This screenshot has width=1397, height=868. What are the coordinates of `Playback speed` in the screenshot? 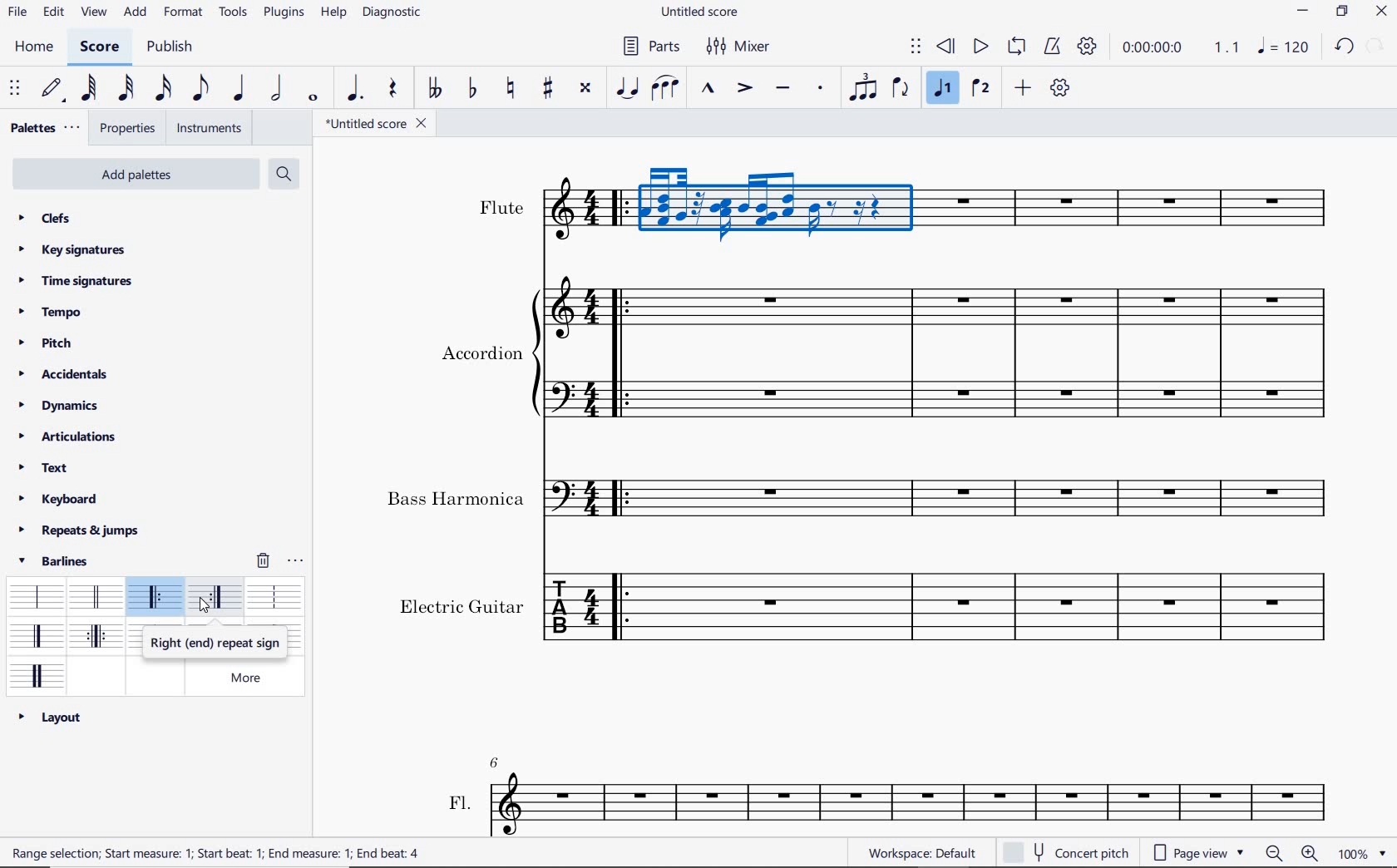 It's located at (1228, 47).